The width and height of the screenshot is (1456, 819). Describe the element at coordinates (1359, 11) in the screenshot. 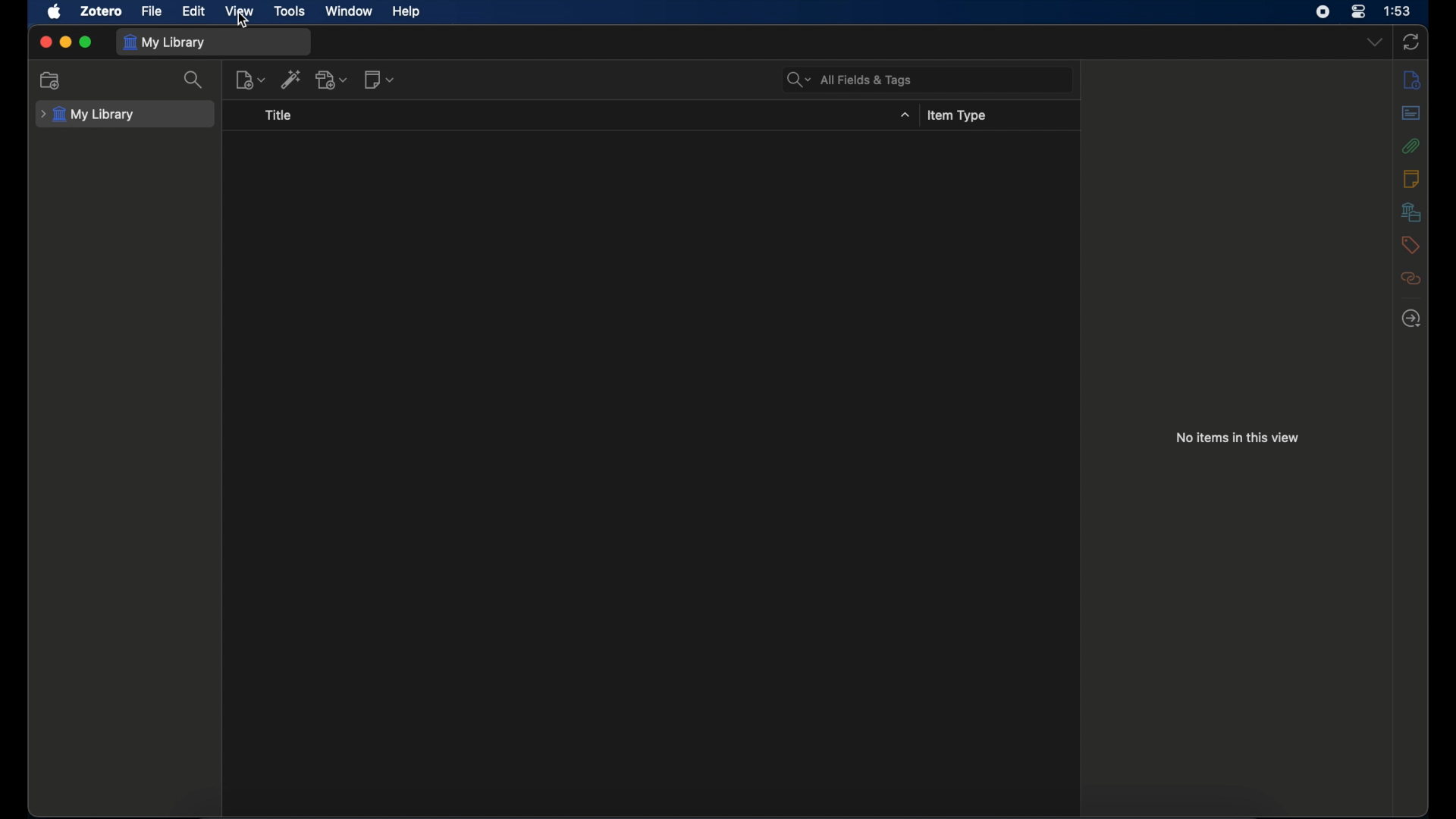

I see `control center` at that location.